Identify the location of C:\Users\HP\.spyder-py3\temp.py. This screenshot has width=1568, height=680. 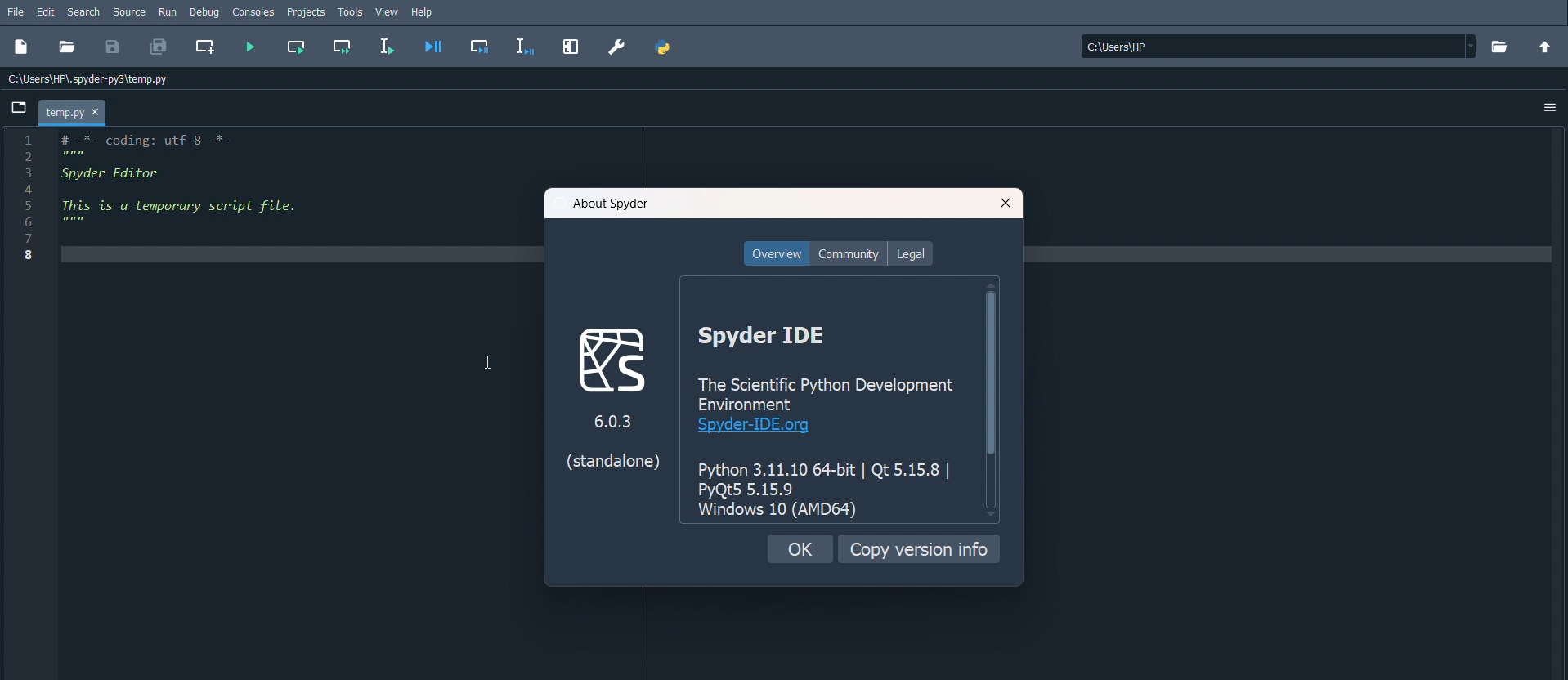
(92, 78).